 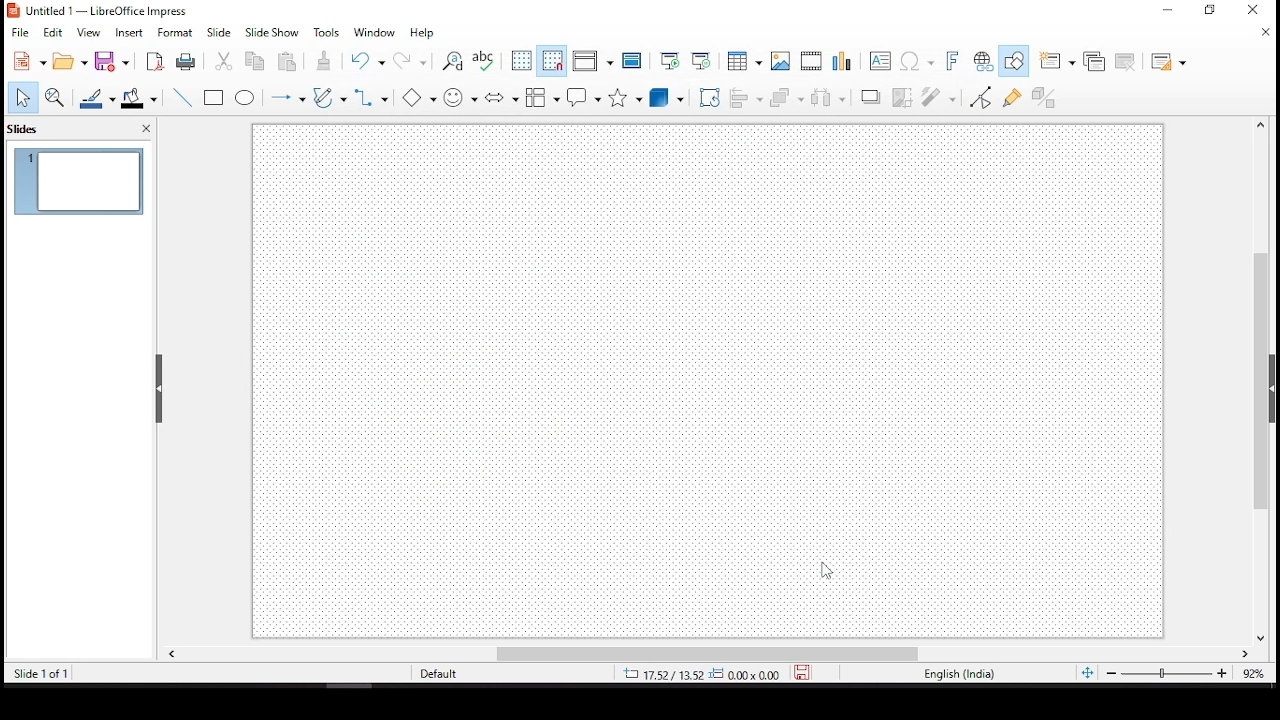 What do you see at coordinates (219, 32) in the screenshot?
I see `slide` at bounding box center [219, 32].